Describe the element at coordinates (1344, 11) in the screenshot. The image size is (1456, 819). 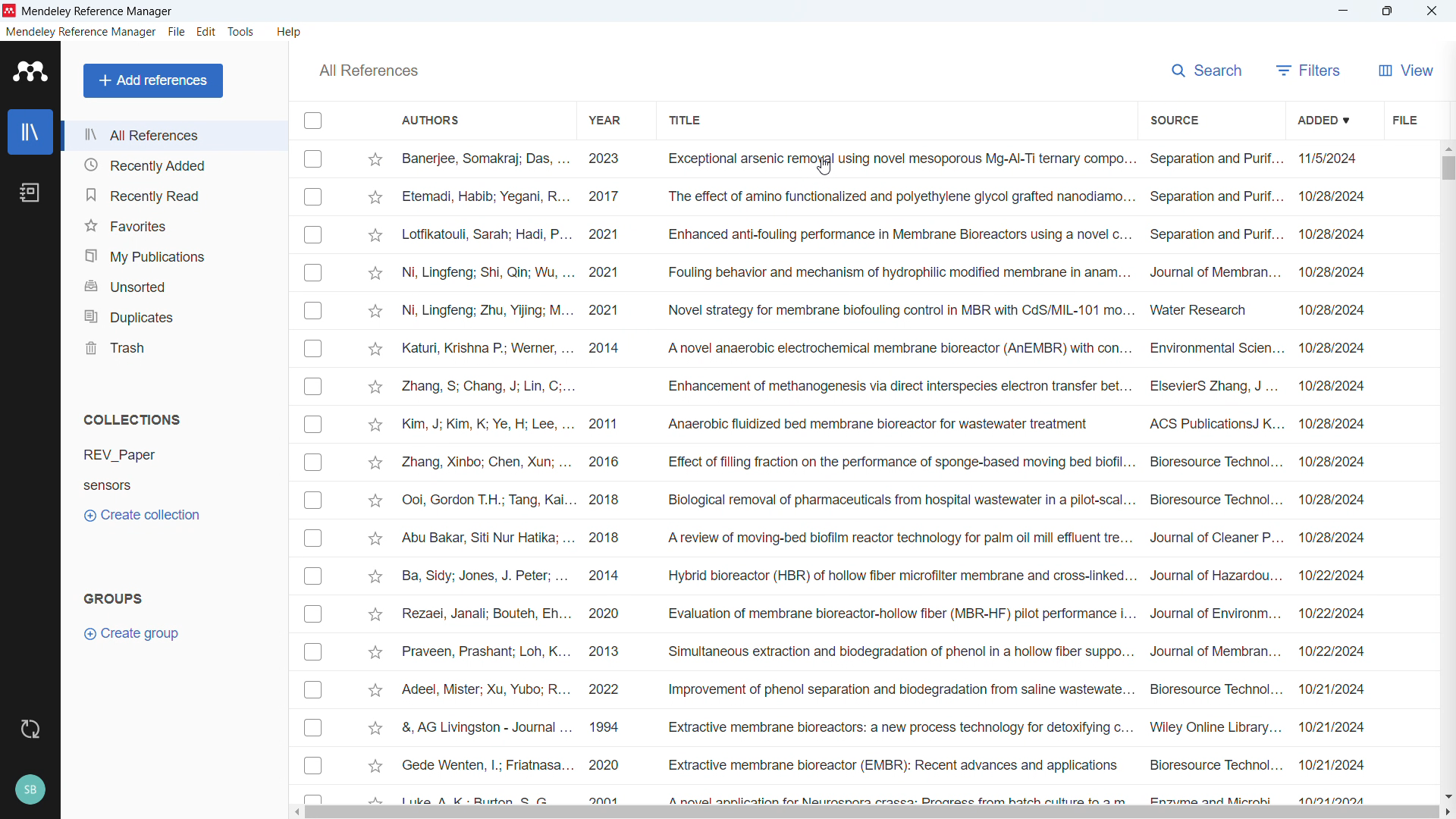
I see `minimize` at that location.